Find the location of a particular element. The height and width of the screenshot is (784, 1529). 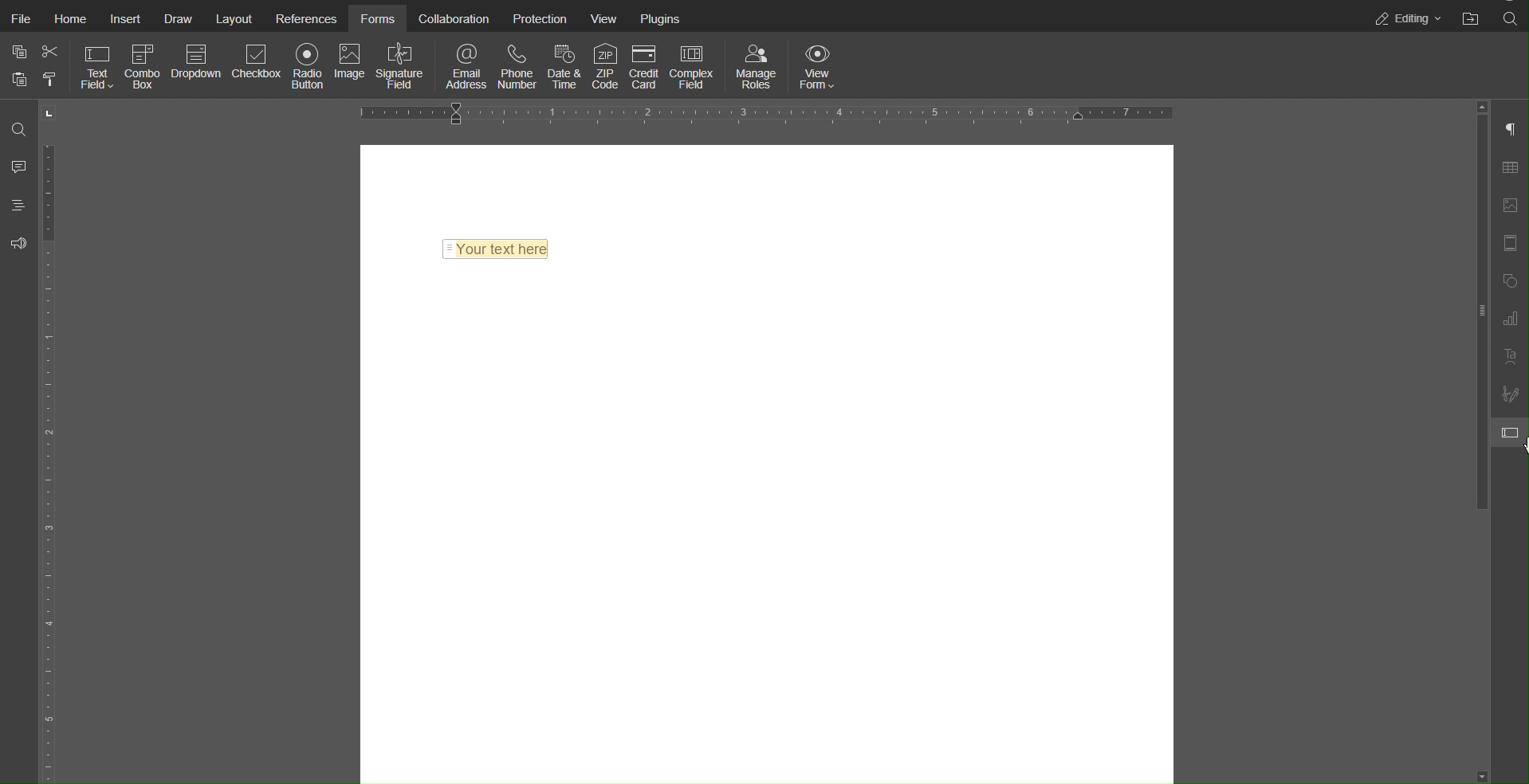

Table Settings is located at coordinates (1508, 167).